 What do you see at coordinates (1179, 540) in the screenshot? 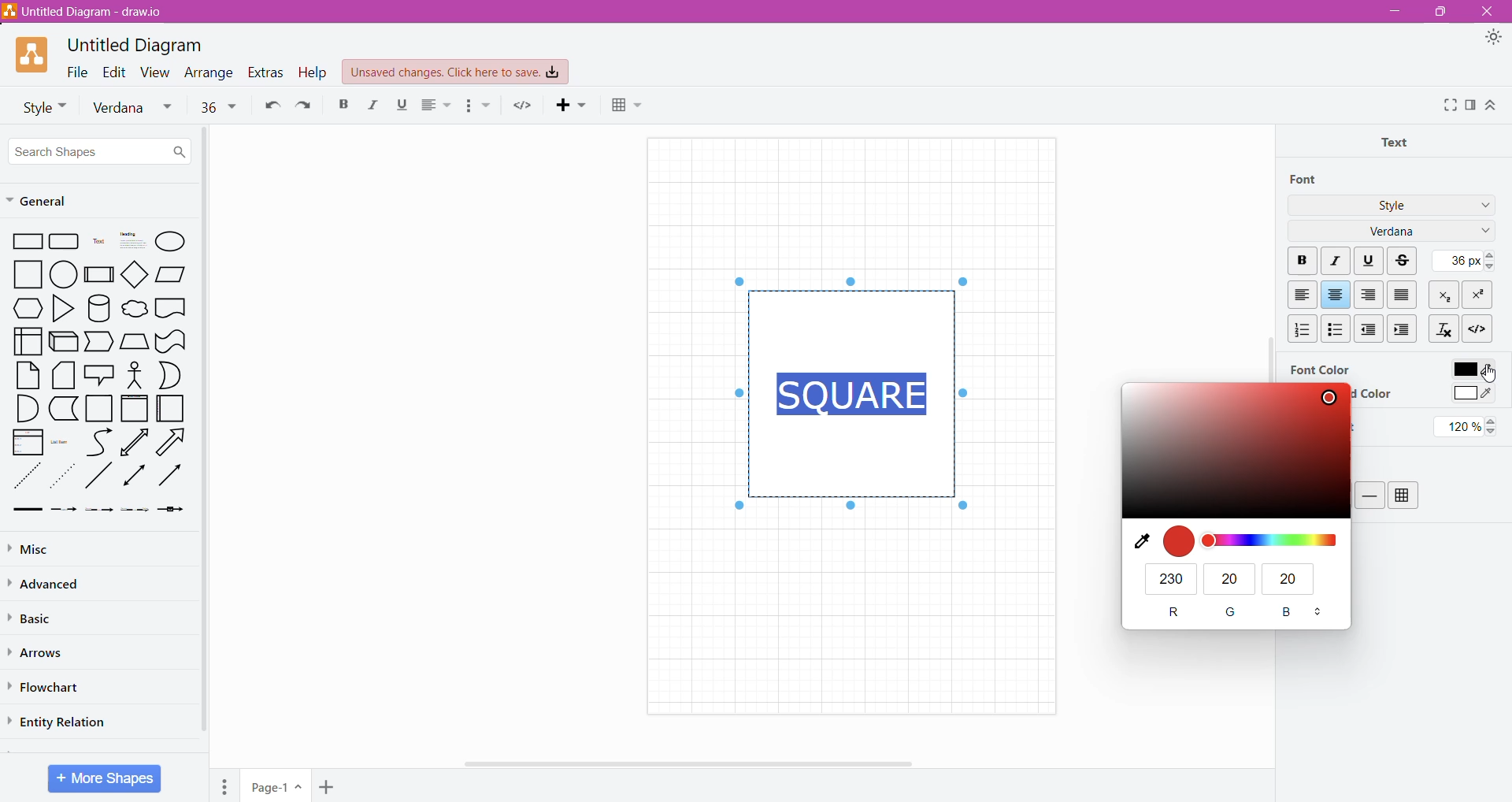
I see `red color` at bounding box center [1179, 540].